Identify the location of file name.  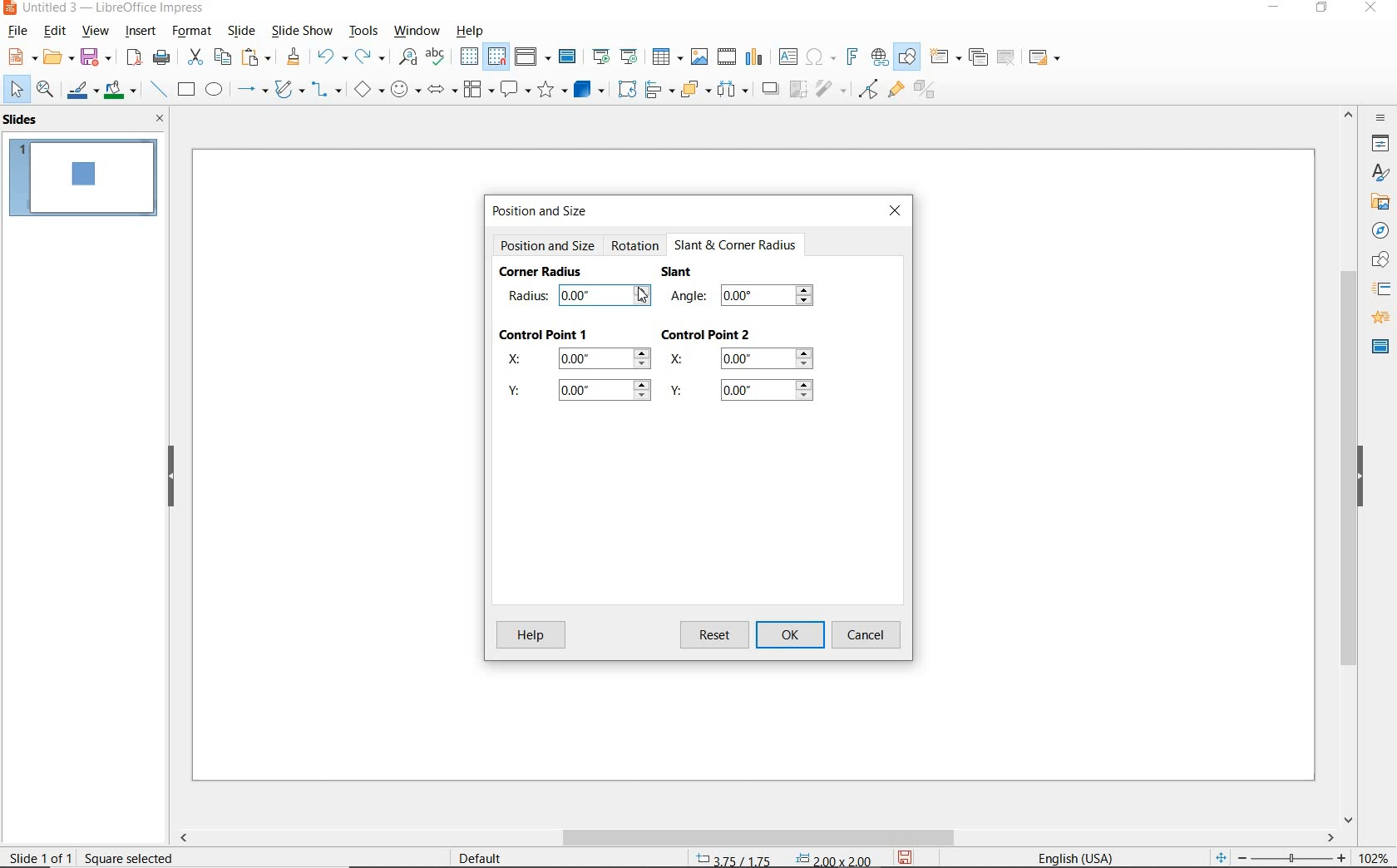
(106, 9).